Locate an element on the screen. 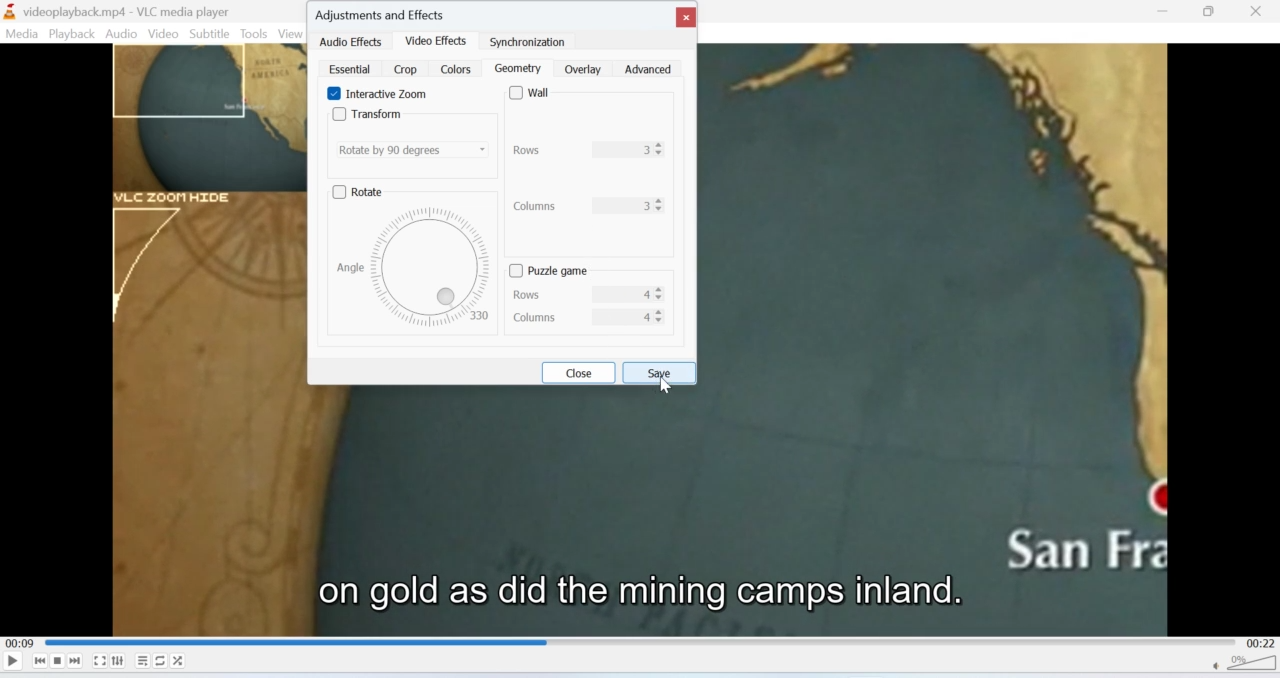  Fullscreen is located at coordinates (100, 662).